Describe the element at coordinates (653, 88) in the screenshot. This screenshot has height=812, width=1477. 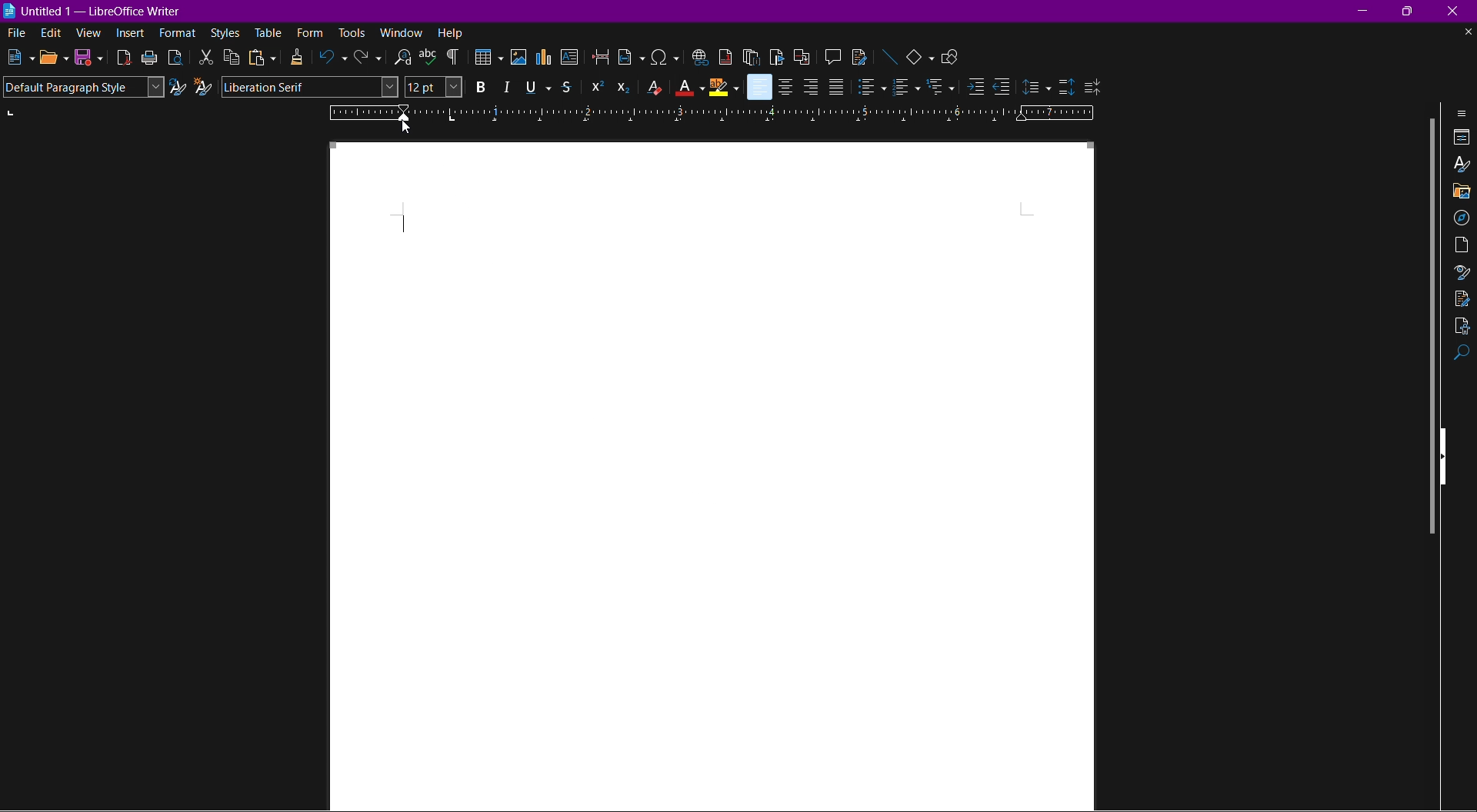
I see `Clear Direct Formatting` at that location.